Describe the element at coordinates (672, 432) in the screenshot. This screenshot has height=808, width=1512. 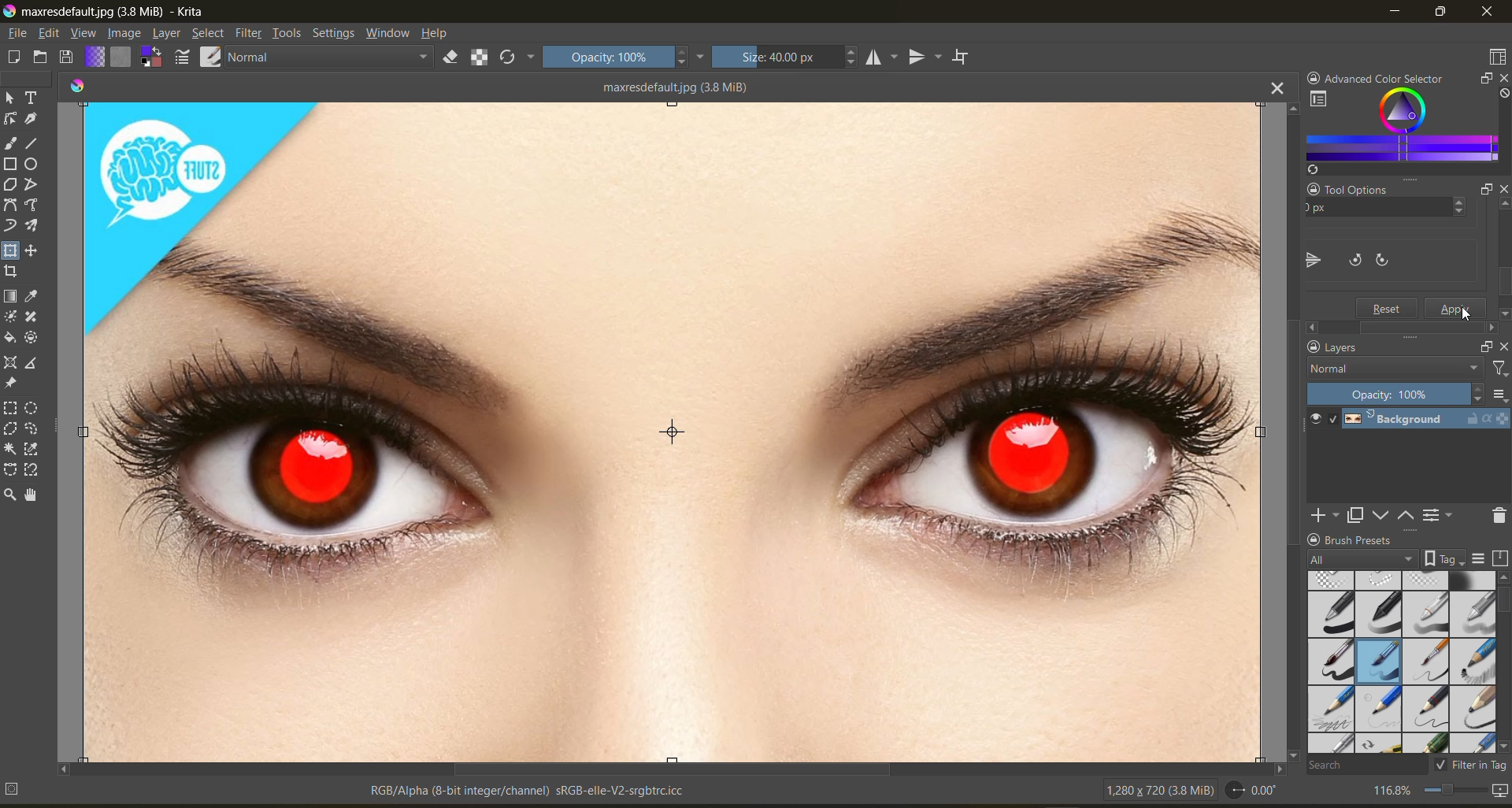
I see `horizontally flipped canvas` at that location.